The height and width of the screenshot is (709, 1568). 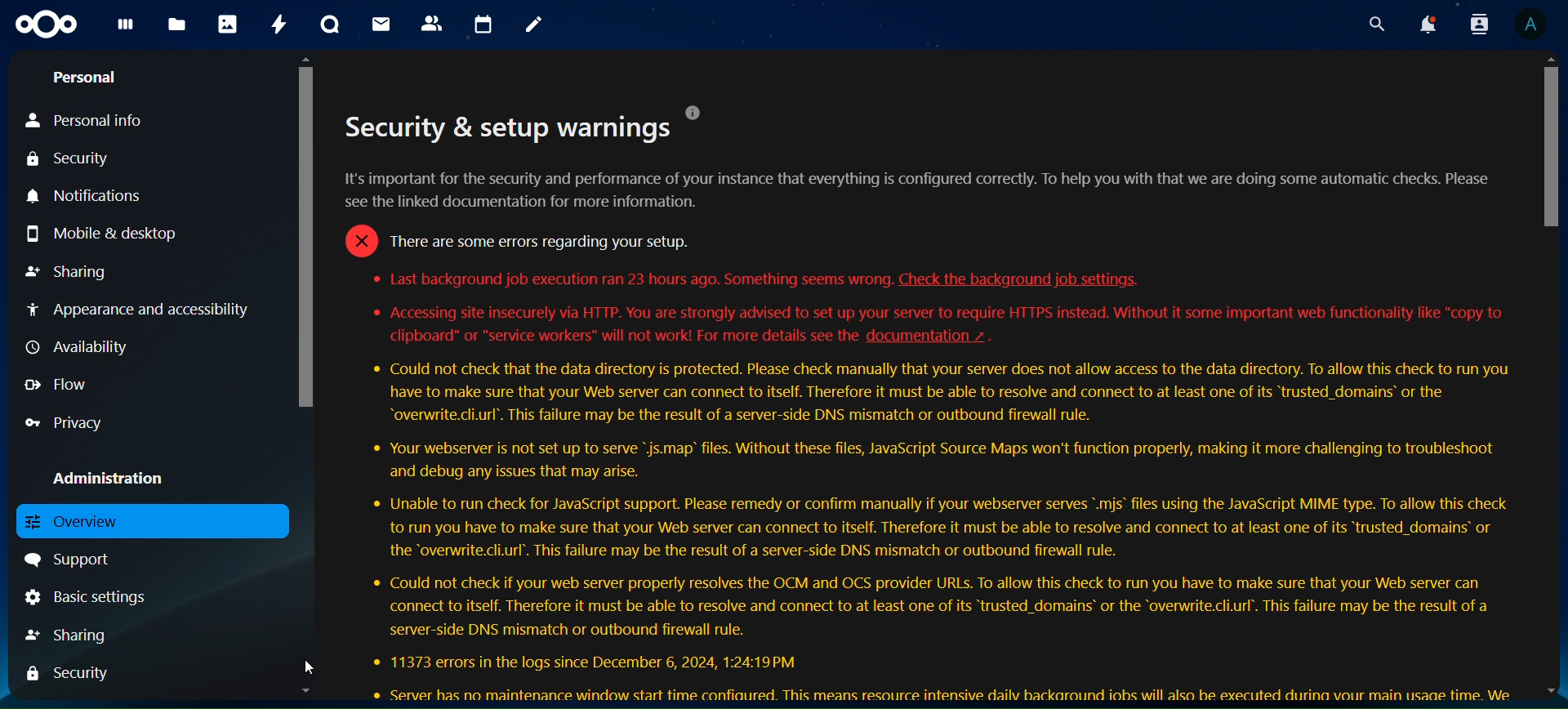 I want to click on photos, so click(x=225, y=25).